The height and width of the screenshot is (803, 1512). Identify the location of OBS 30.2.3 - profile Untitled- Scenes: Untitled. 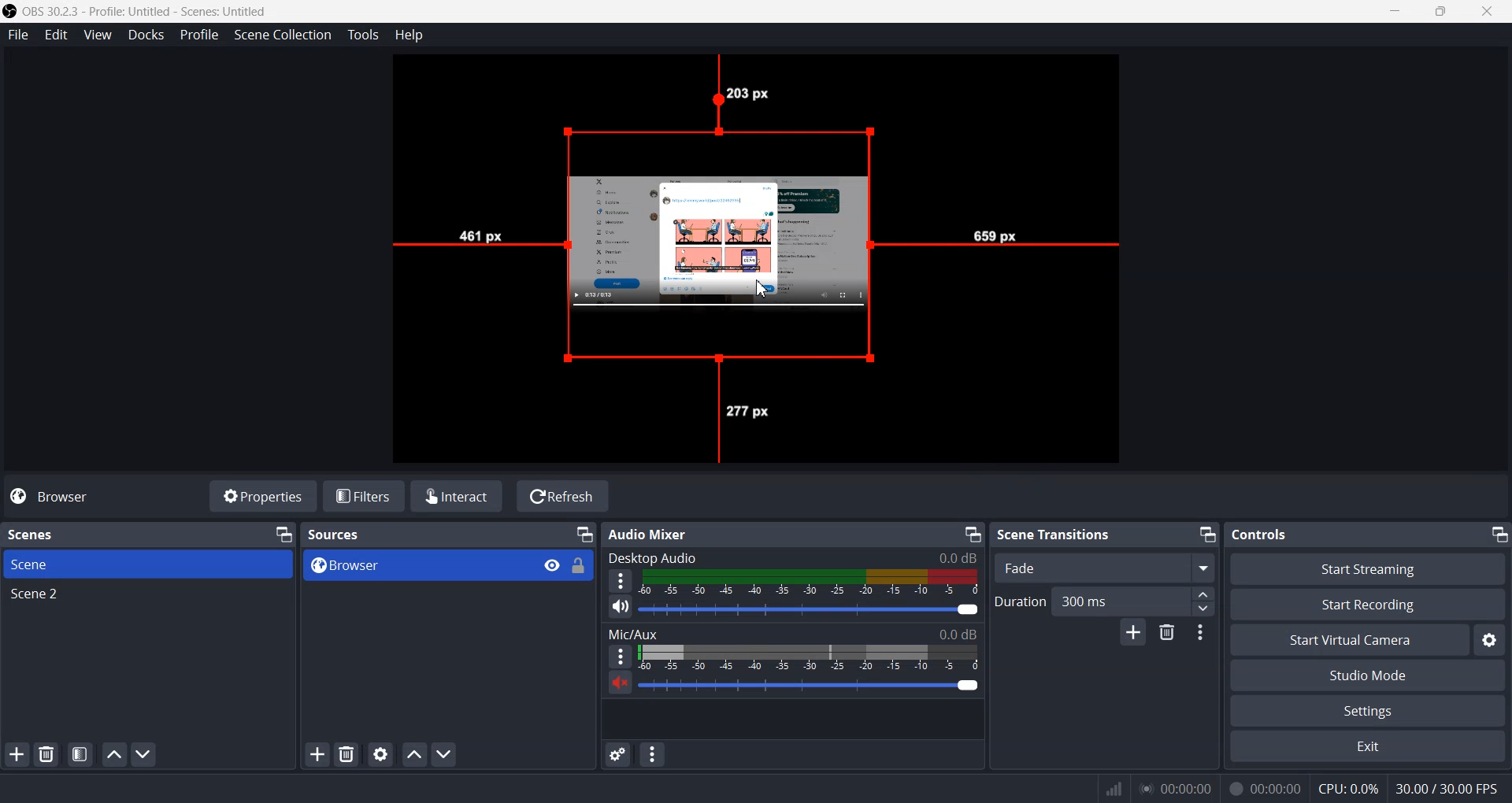
(153, 9).